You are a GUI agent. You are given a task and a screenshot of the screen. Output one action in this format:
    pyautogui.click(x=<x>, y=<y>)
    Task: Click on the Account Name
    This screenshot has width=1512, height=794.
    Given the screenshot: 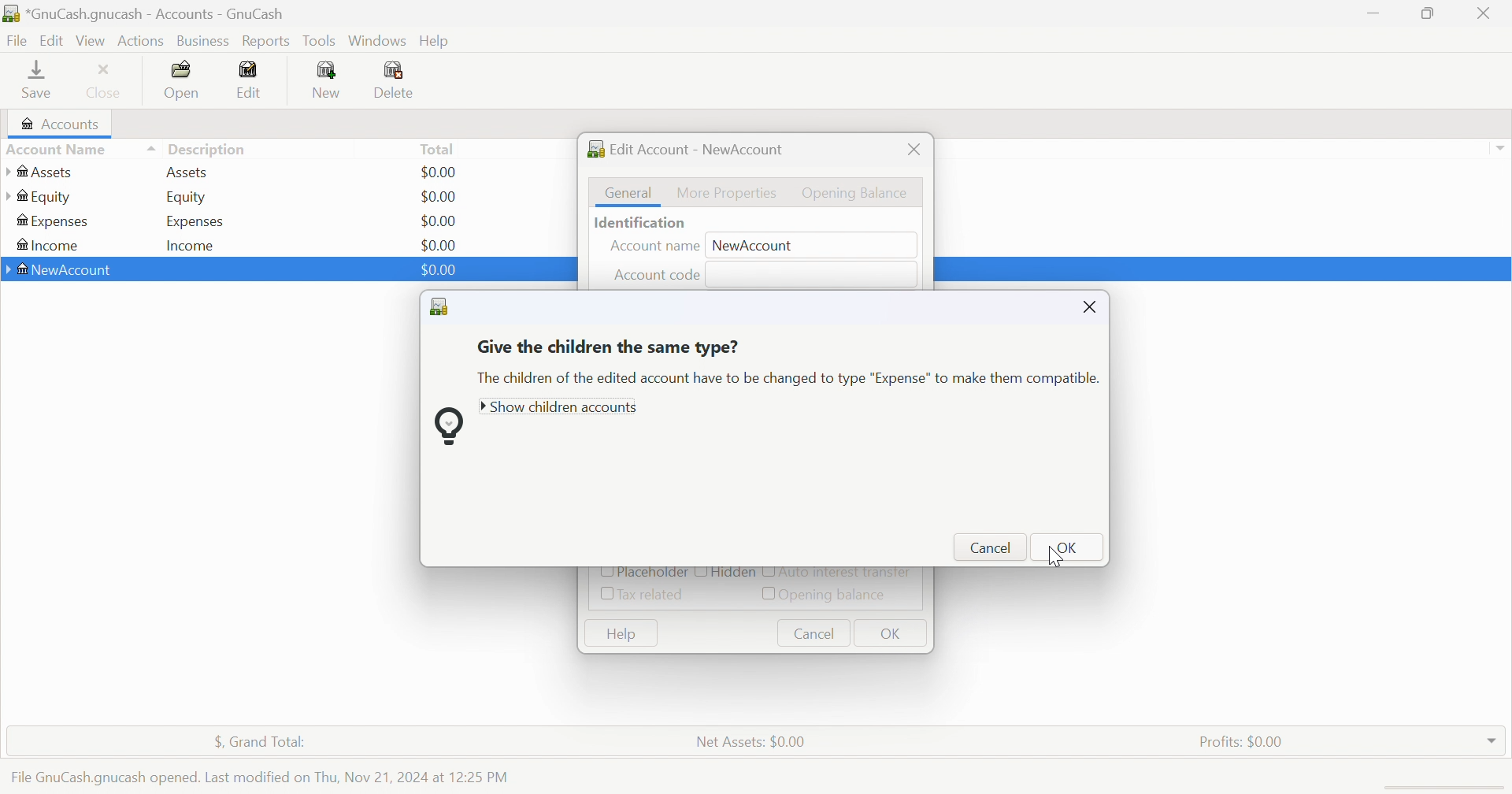 What is the action you would take?
    pyautogui.click(x=654, y=248)
    